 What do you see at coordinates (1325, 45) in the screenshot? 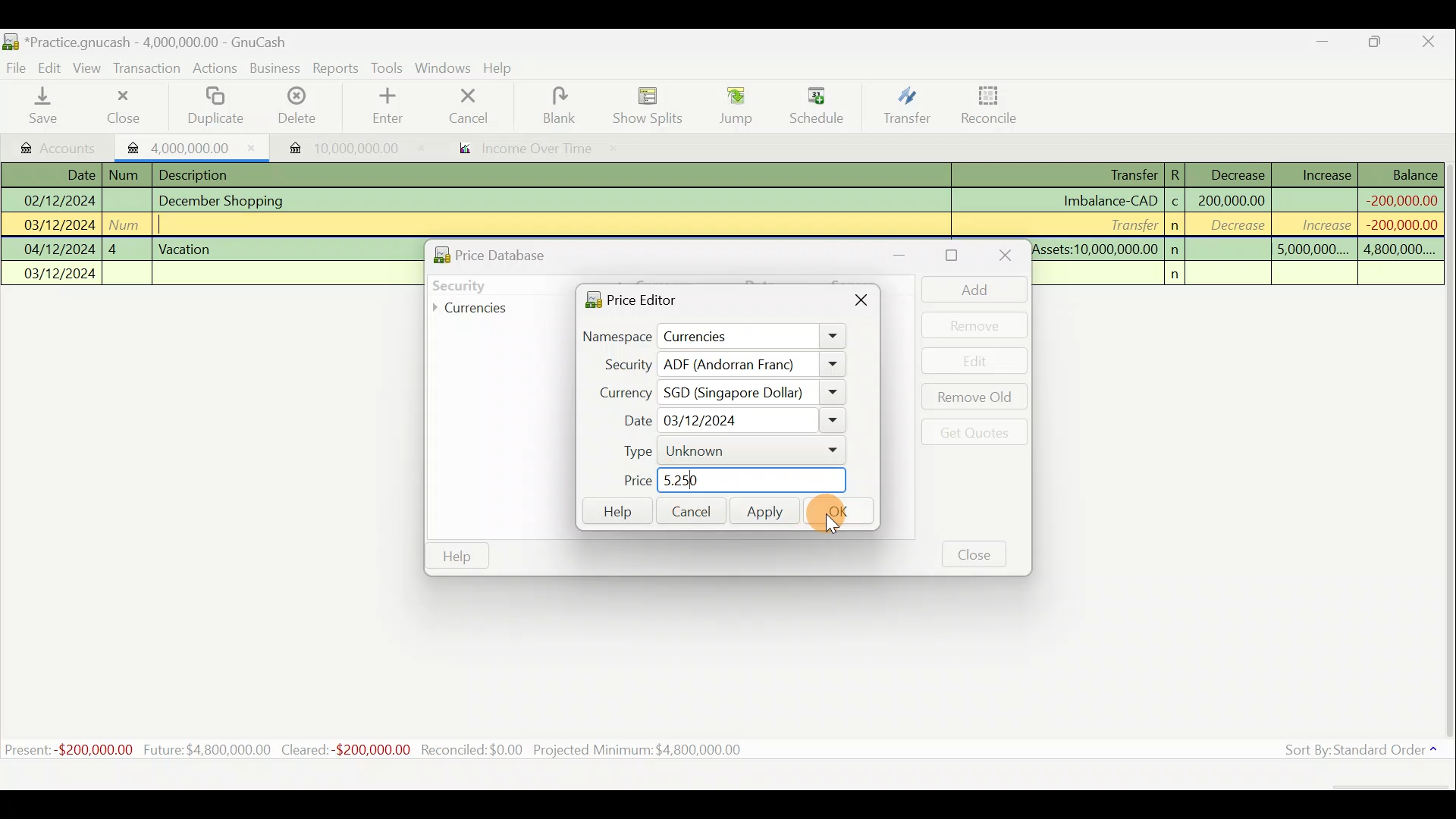
I see `Minimise` at bounding box center [1325, 45].